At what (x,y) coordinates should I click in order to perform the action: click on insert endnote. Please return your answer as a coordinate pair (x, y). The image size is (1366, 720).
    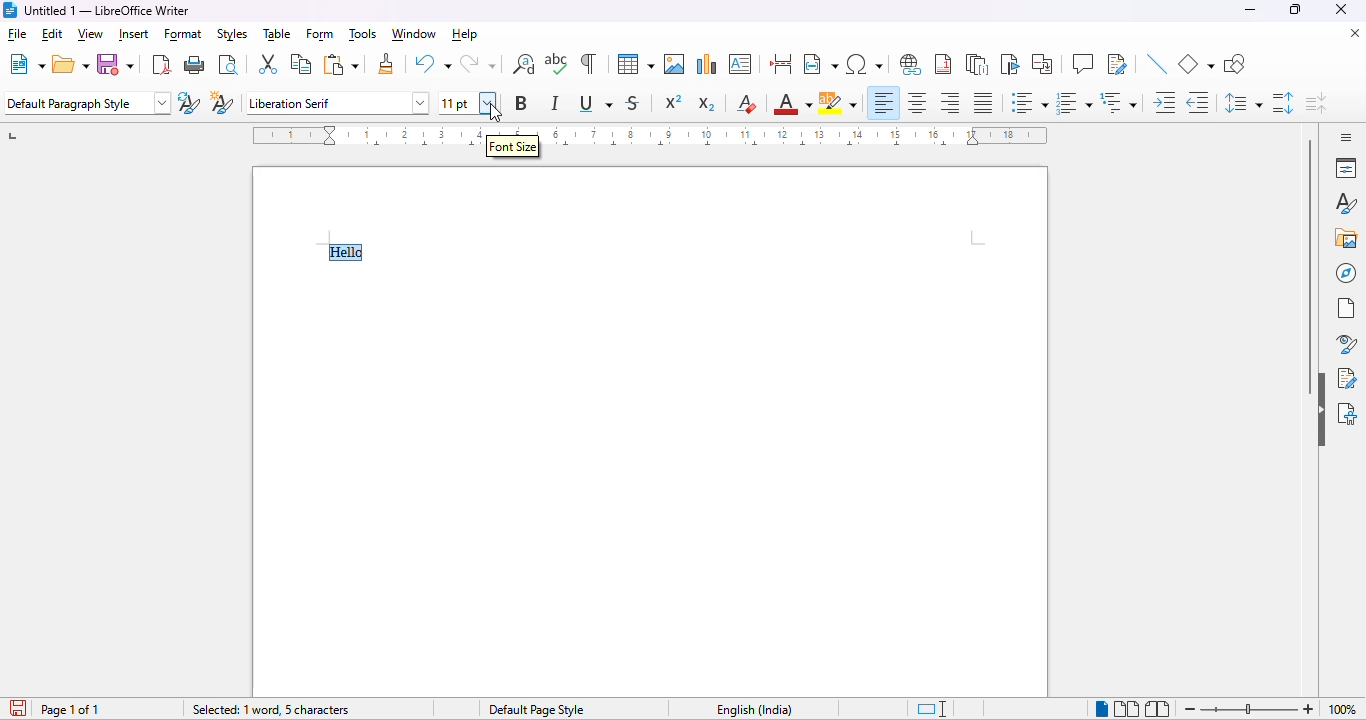
    Looking at the image, I should click on (978, 66).